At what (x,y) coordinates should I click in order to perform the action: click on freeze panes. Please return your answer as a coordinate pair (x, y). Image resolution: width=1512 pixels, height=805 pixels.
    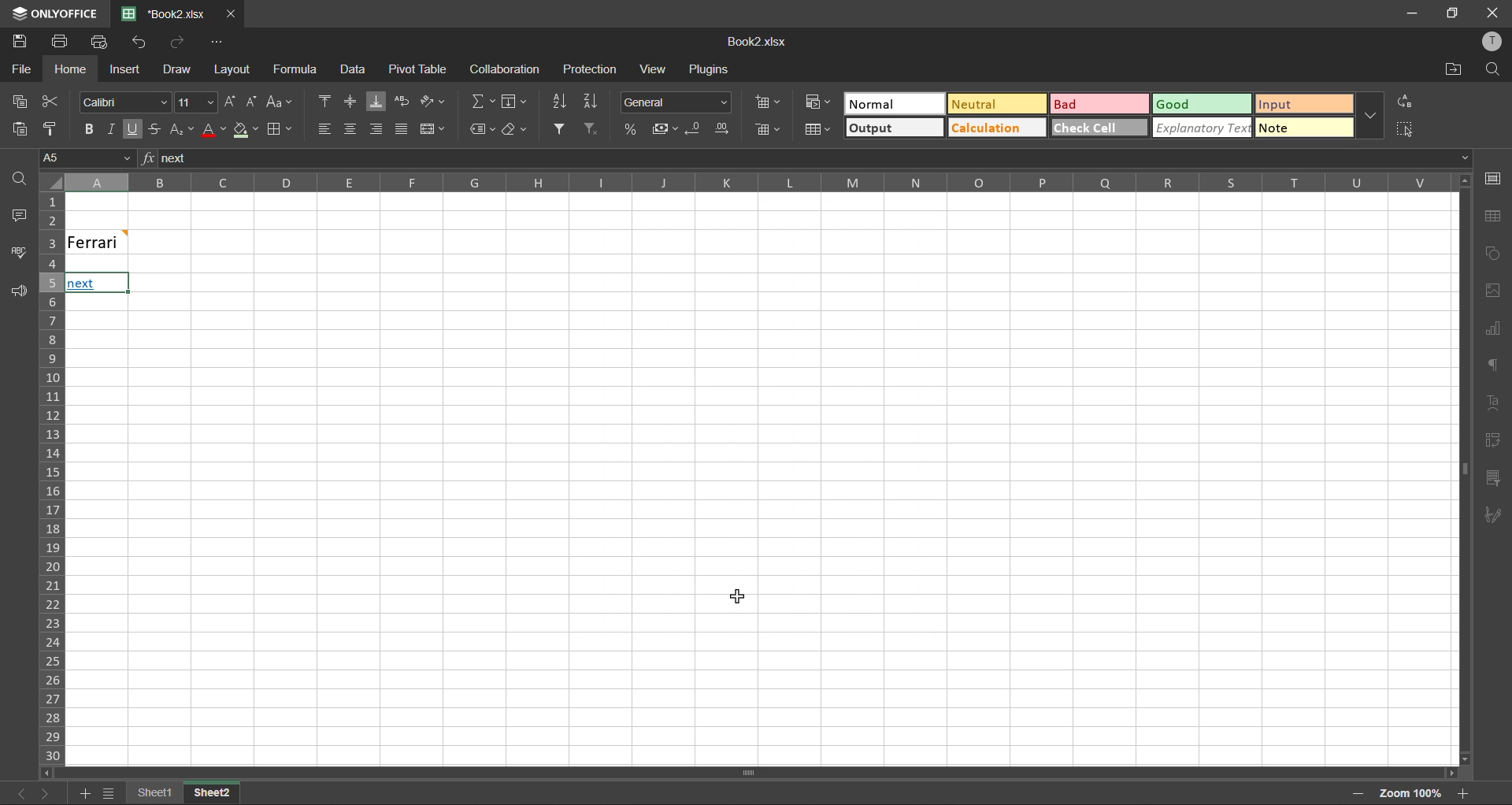
    Looking at the image, I should click on (149, 792).